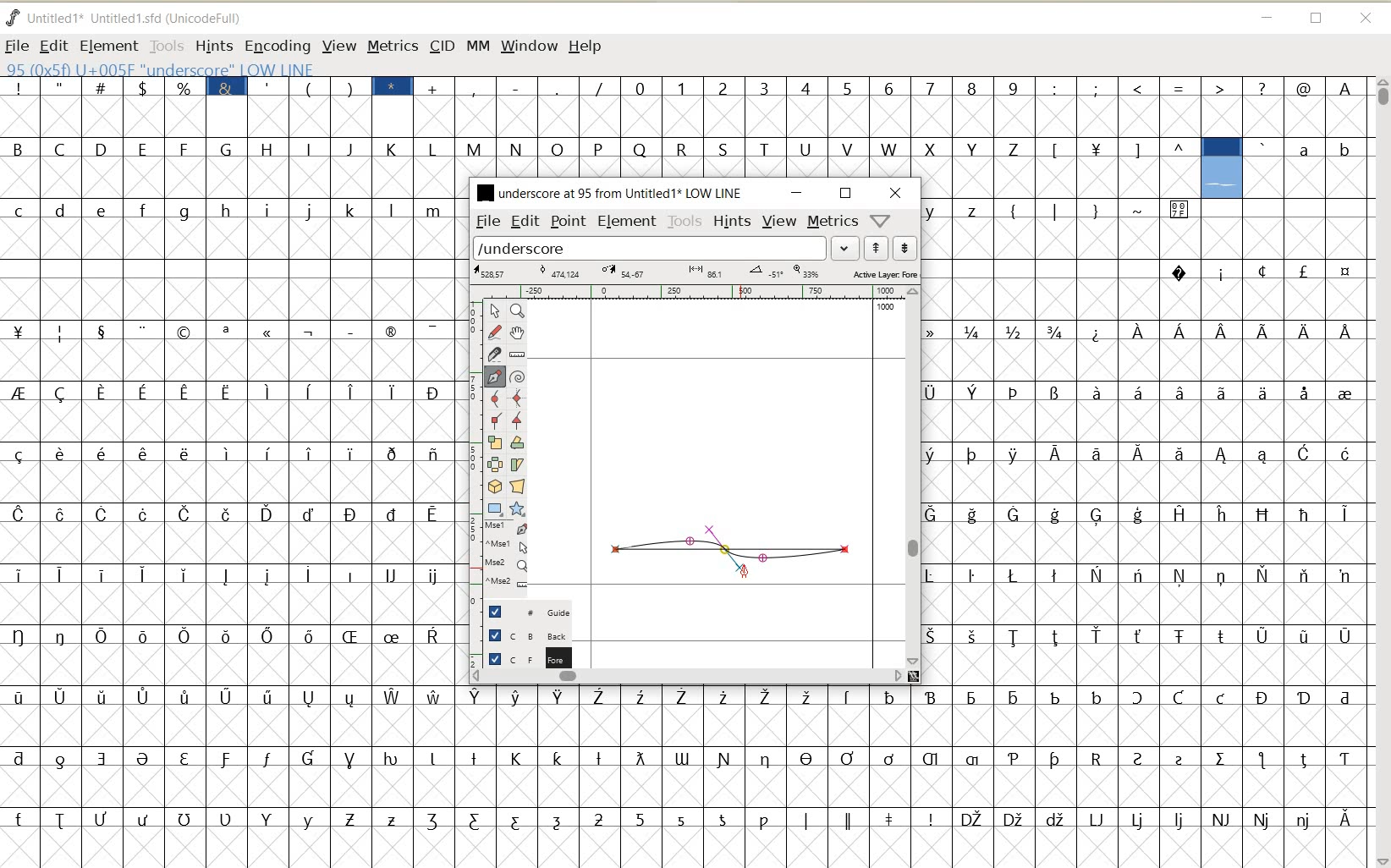  Describe the element at coordinates (471, 447) in the screenshot. I see `SCALE` at that location.